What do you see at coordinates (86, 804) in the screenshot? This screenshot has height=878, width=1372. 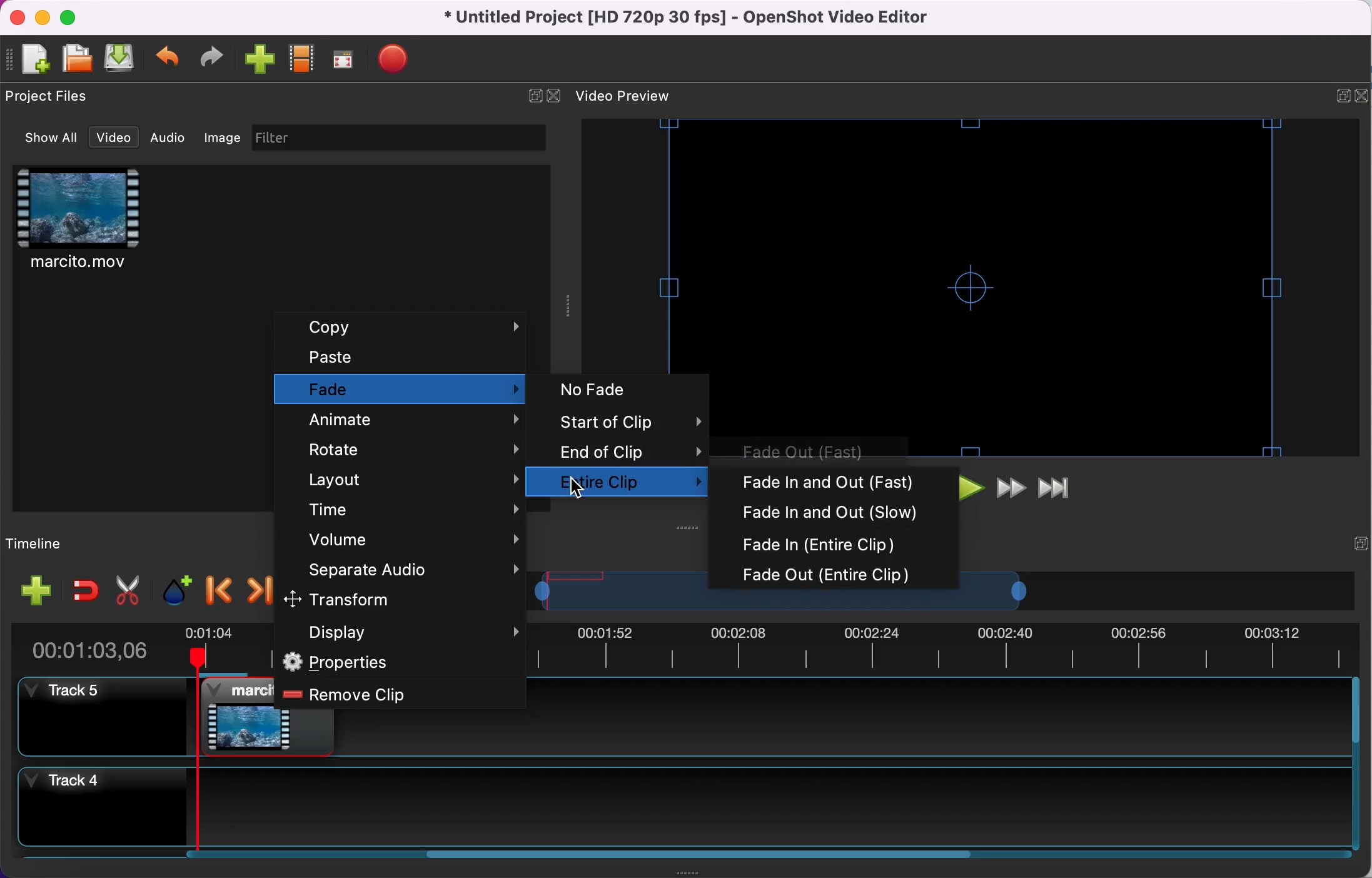 I see `track 4` at bounding box center [86, 804].